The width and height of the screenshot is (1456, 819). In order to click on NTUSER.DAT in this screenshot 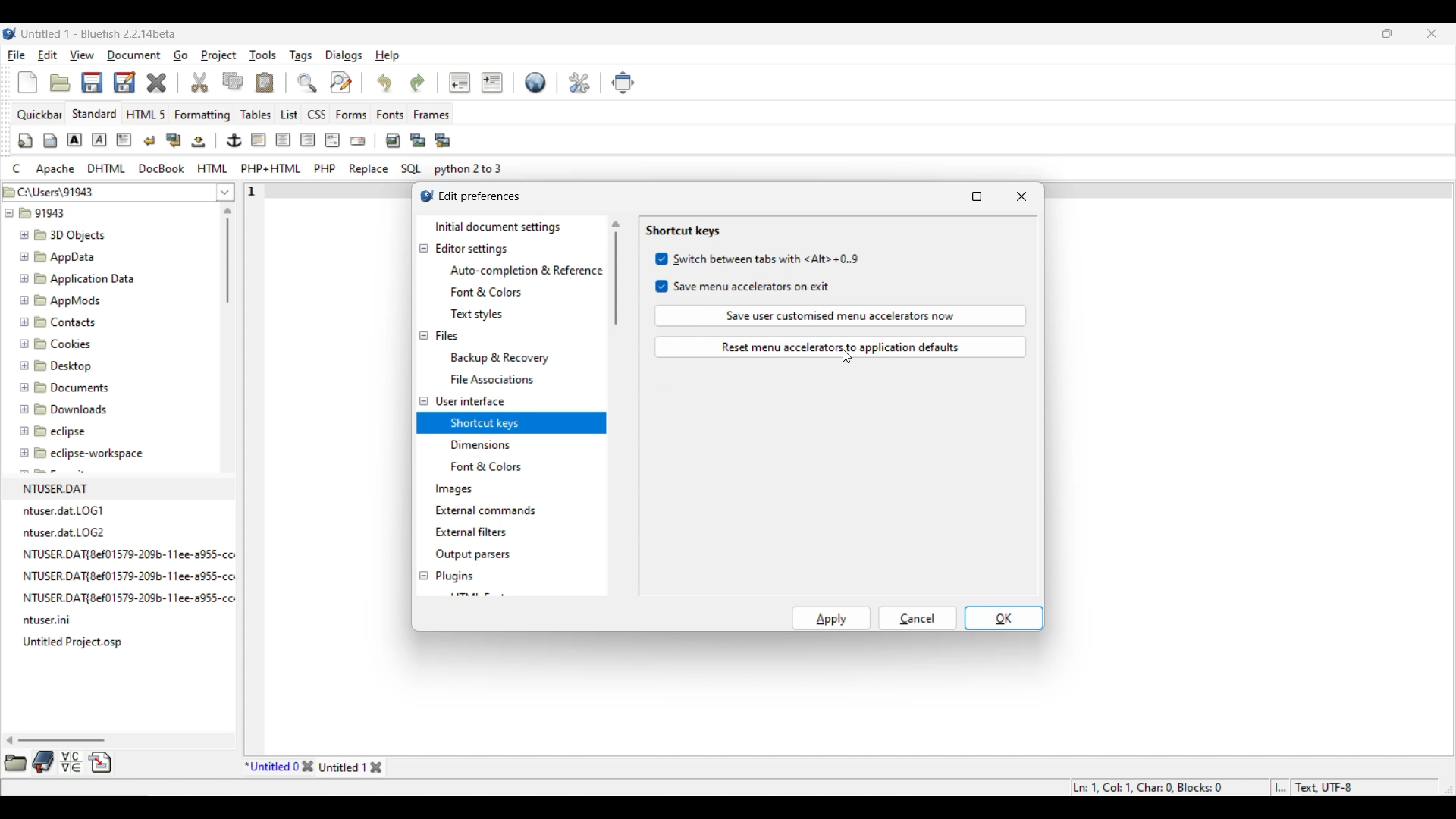, I will do `click(61, 488)`.